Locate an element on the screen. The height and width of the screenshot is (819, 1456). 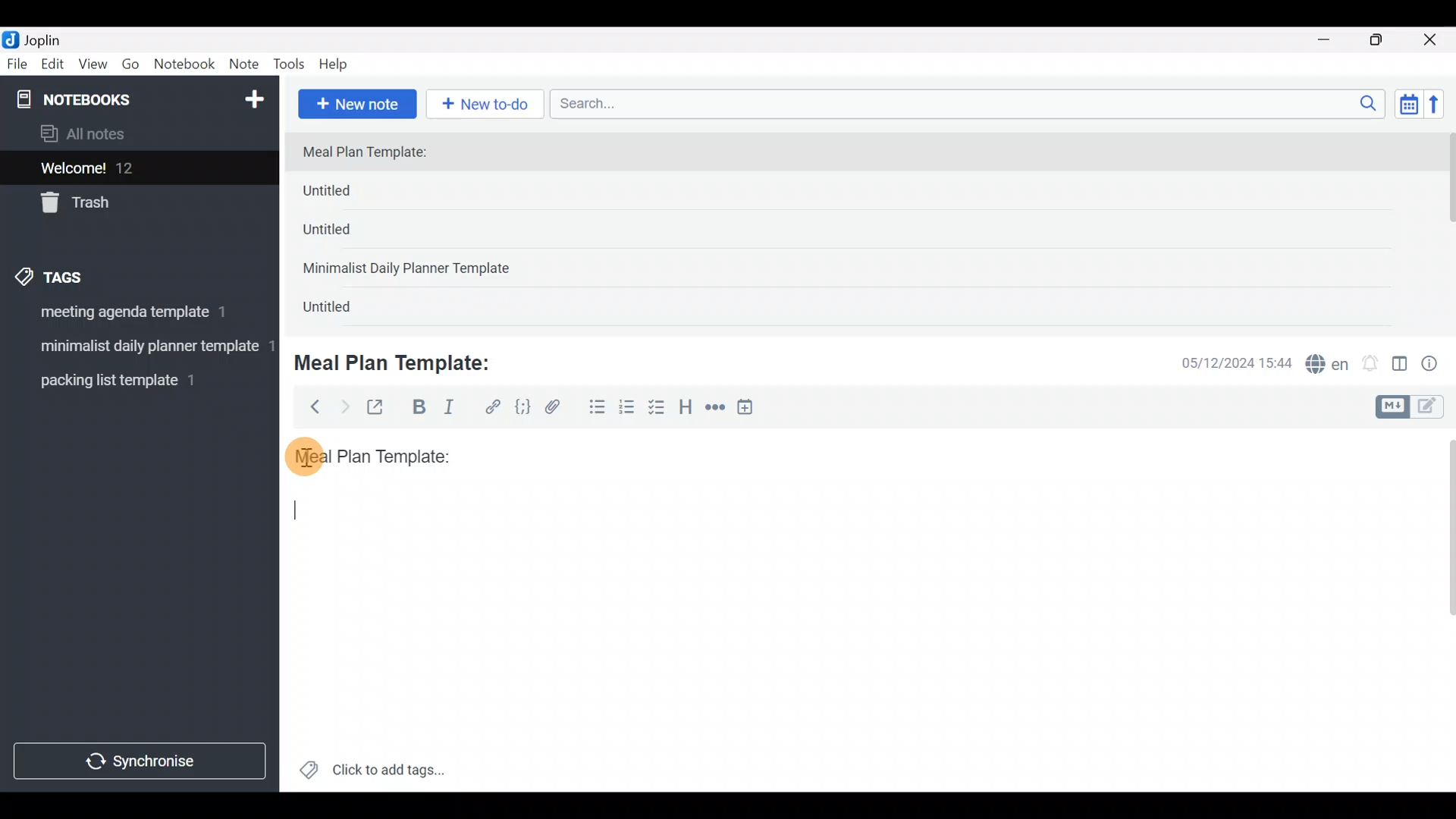
Note properties is located at coordinates (1436, 365).